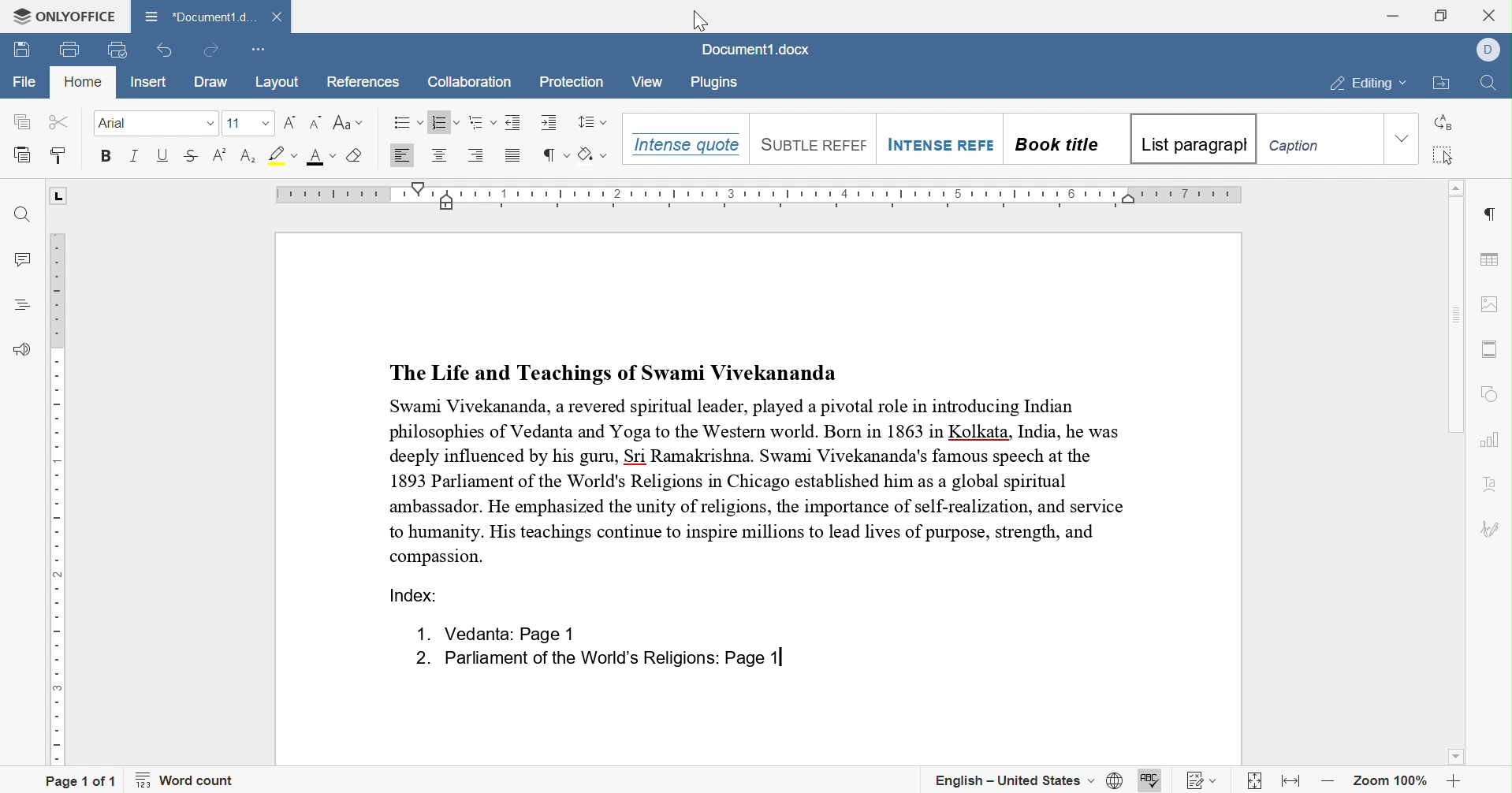 The height and width of the screenshot is (793, 1512). What do you see at coordinates (468, 83) in the screenshot?
I see `collaboration` at bounding box center [468, 83].